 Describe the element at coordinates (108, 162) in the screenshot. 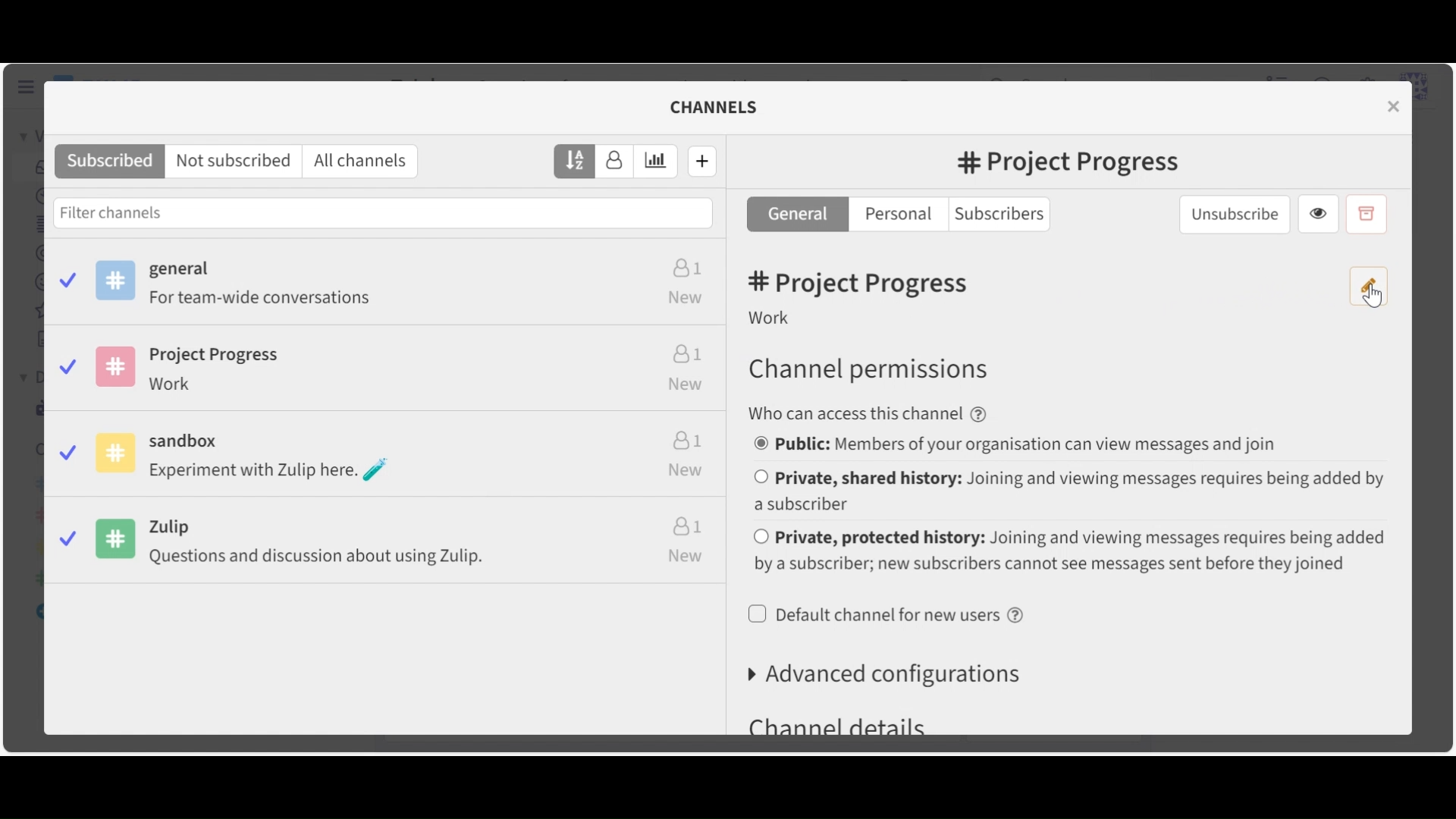

I see `Subscribed` at that location.